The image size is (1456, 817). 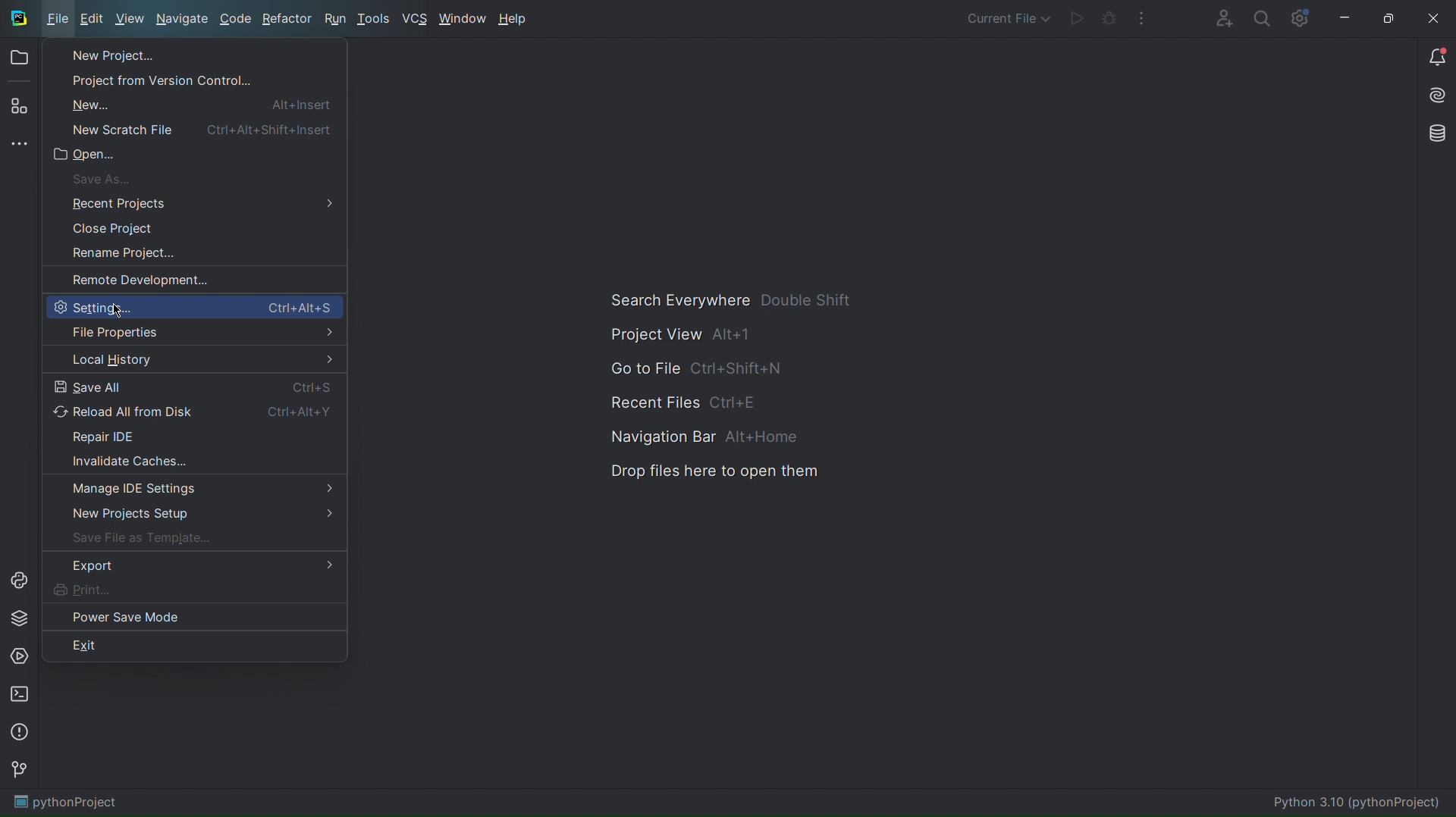 What do you see at coordinates (731, 305) in the screenshot?
I see `Search Everywhere` at bounding box center [731, 305].